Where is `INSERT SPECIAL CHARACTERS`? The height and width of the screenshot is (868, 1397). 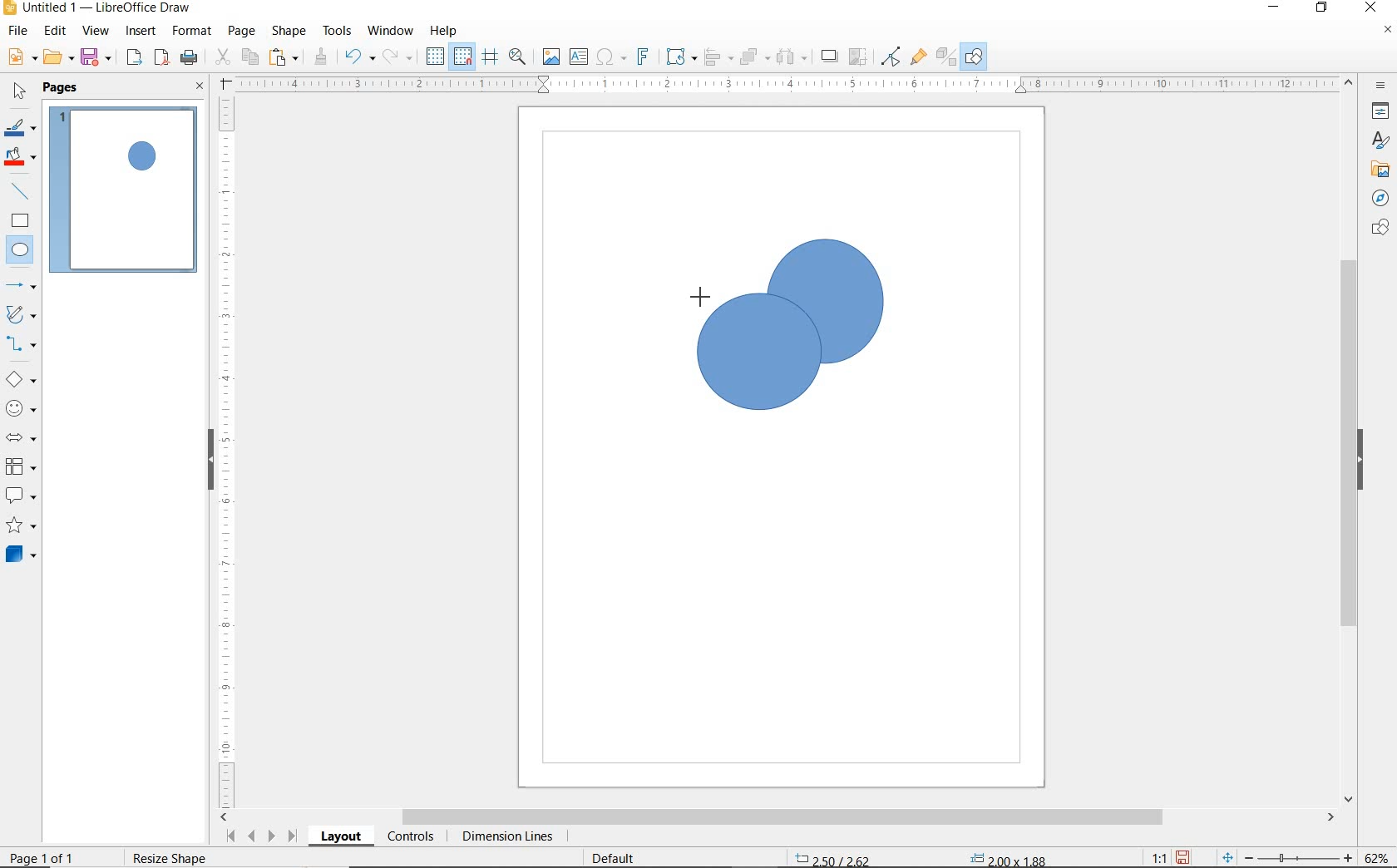 INSERT SPECIAL CHARACTERS is located at coordinates (609, 58).